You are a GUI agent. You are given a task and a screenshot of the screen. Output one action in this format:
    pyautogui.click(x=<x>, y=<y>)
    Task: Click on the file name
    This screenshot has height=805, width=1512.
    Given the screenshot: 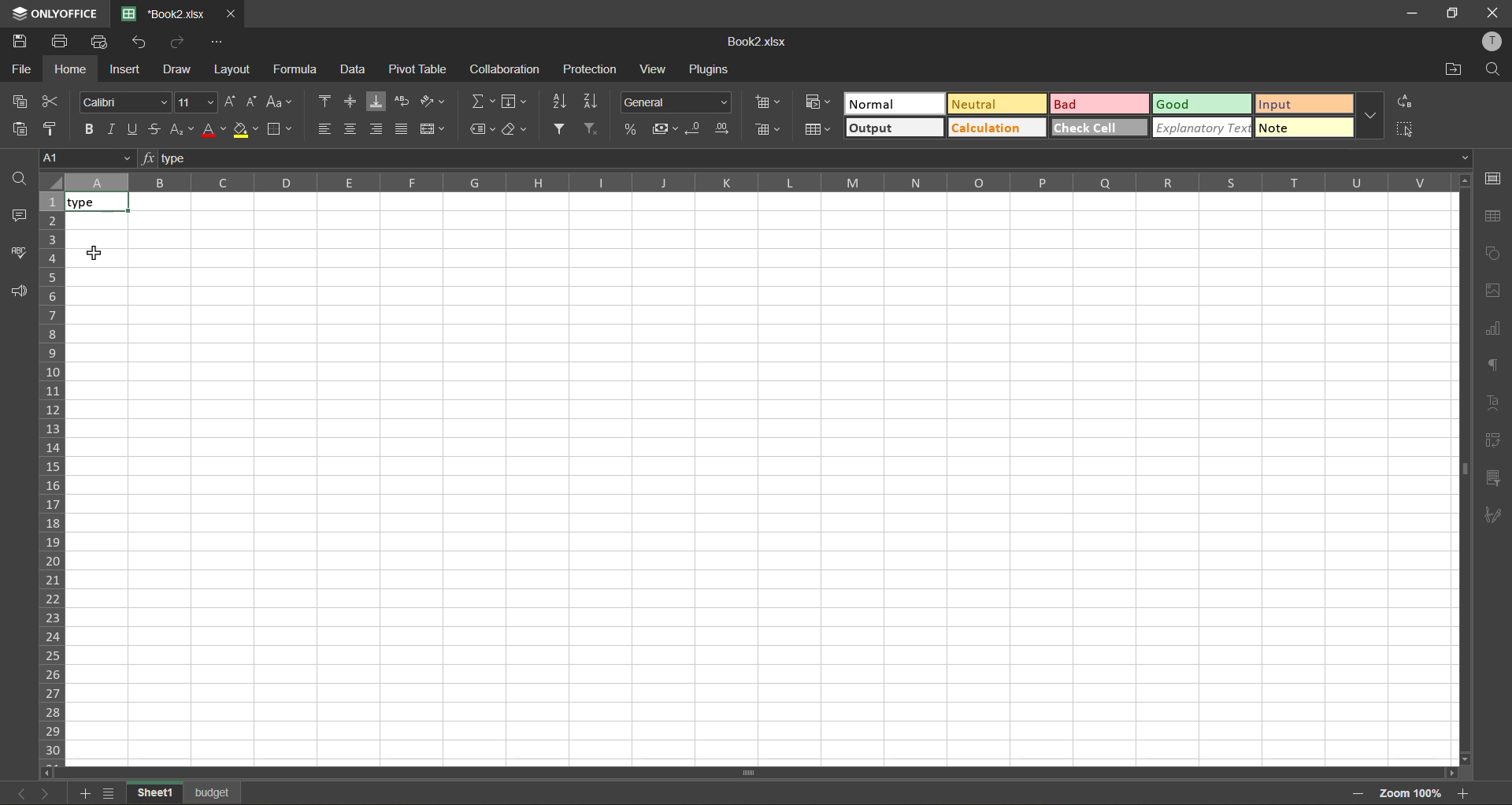 What is the action you would take?
    pyautogui.click(x=758, y=43)
    